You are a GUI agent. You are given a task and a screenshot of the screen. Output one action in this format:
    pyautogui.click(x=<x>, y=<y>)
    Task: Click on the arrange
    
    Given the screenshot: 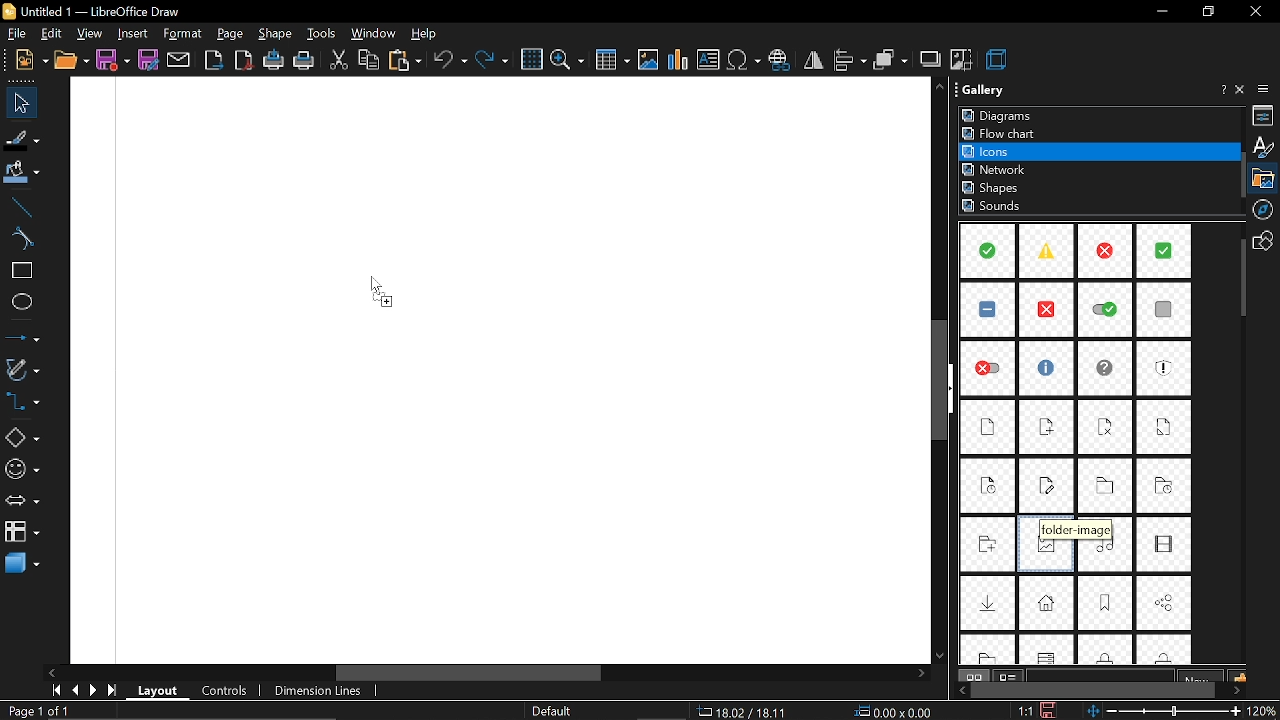 What is the action you would take?
    pyautogui.click(x=890, y=61)
    